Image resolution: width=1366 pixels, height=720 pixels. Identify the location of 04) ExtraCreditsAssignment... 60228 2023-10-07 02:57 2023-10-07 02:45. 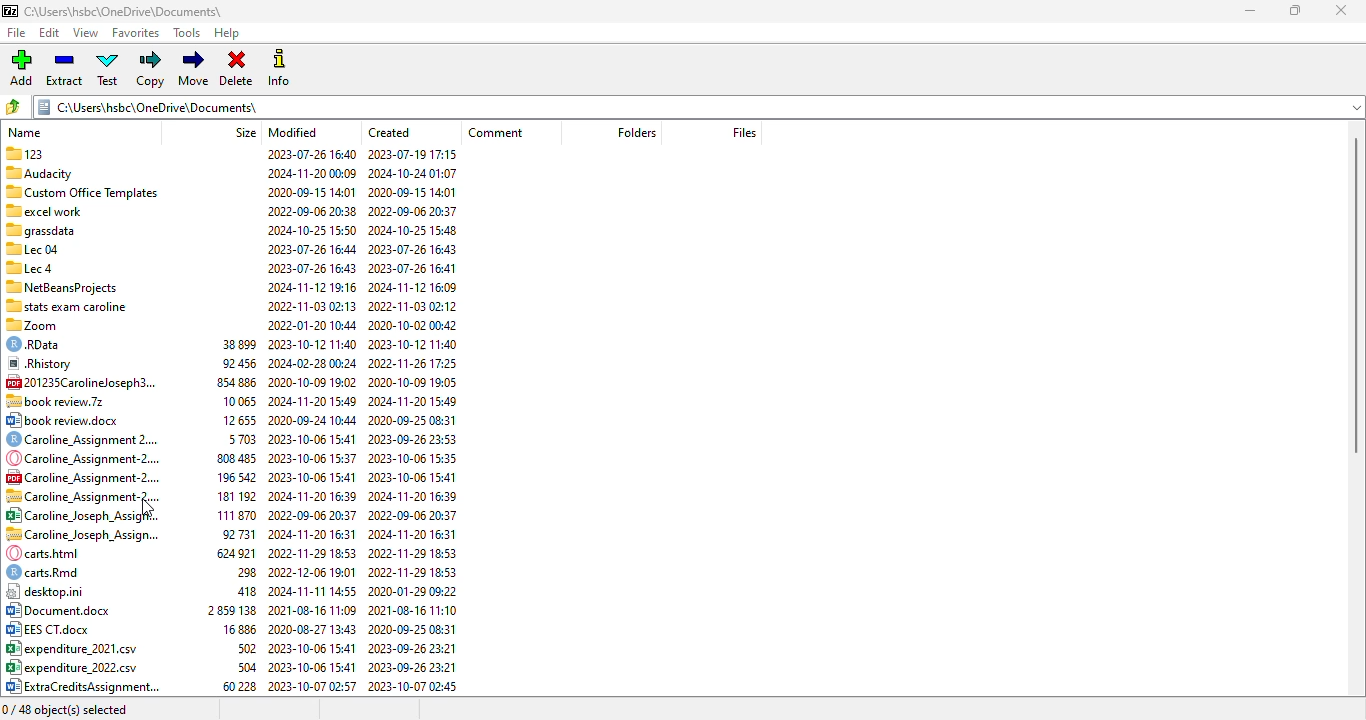
(232, 687).